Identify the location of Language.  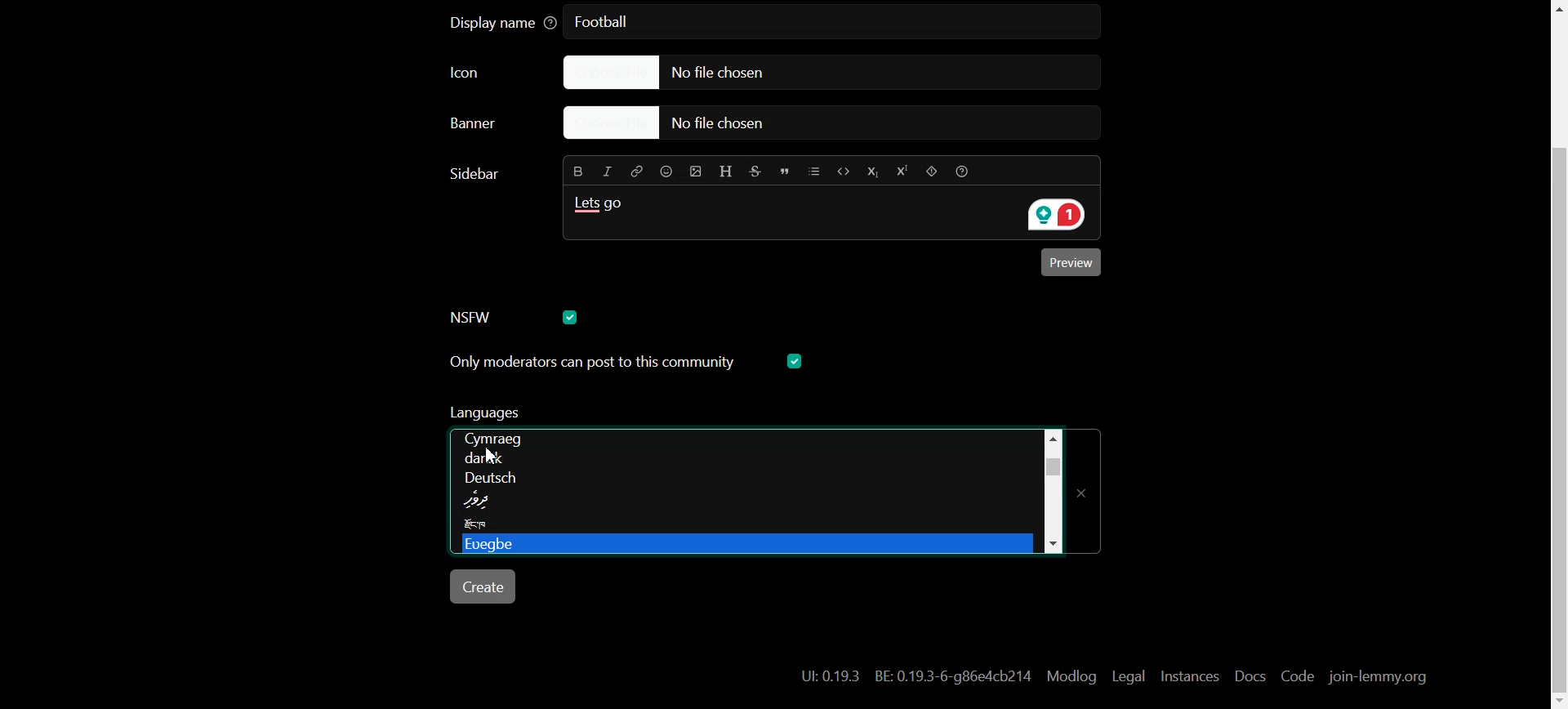
(738, 546).